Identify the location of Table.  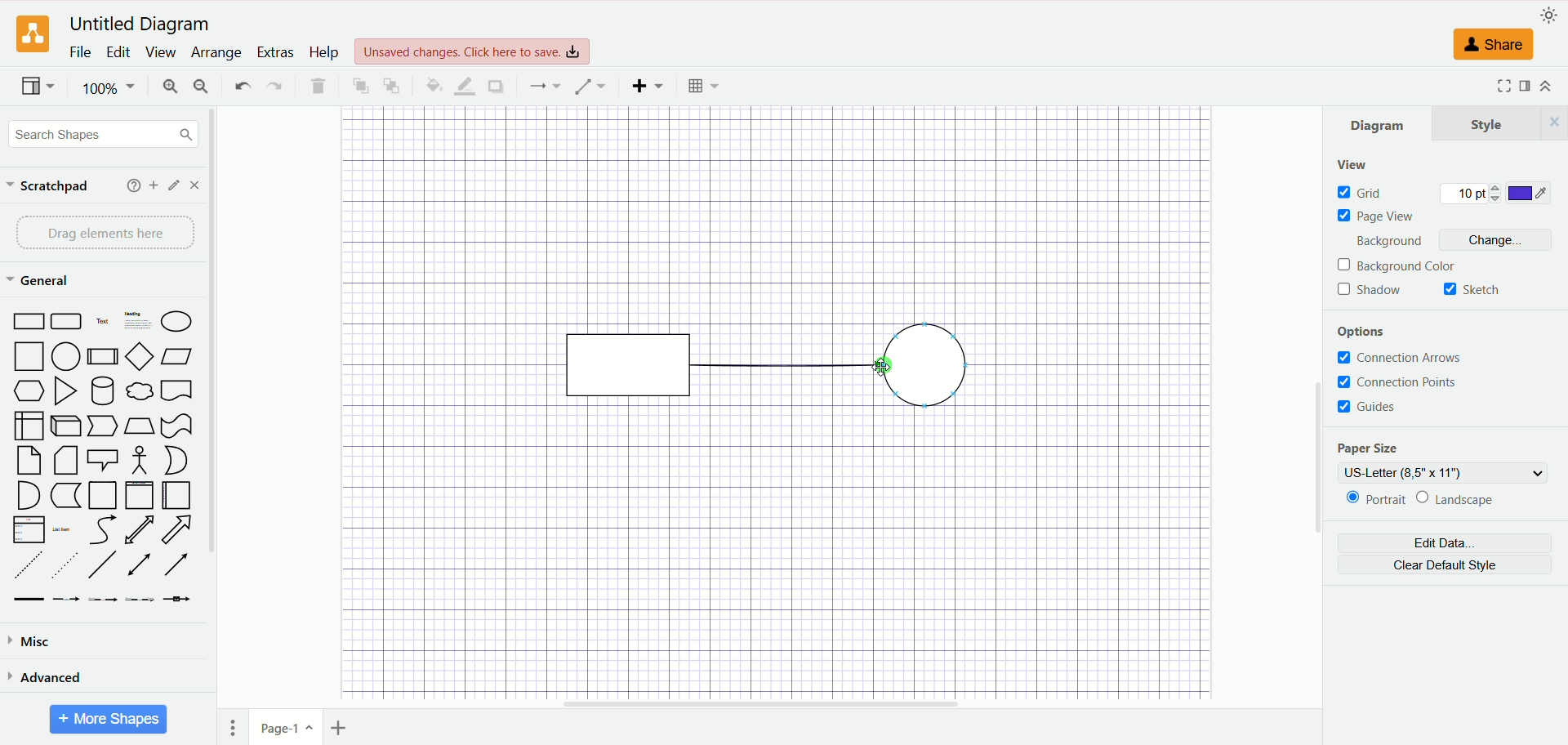
(703, 86).